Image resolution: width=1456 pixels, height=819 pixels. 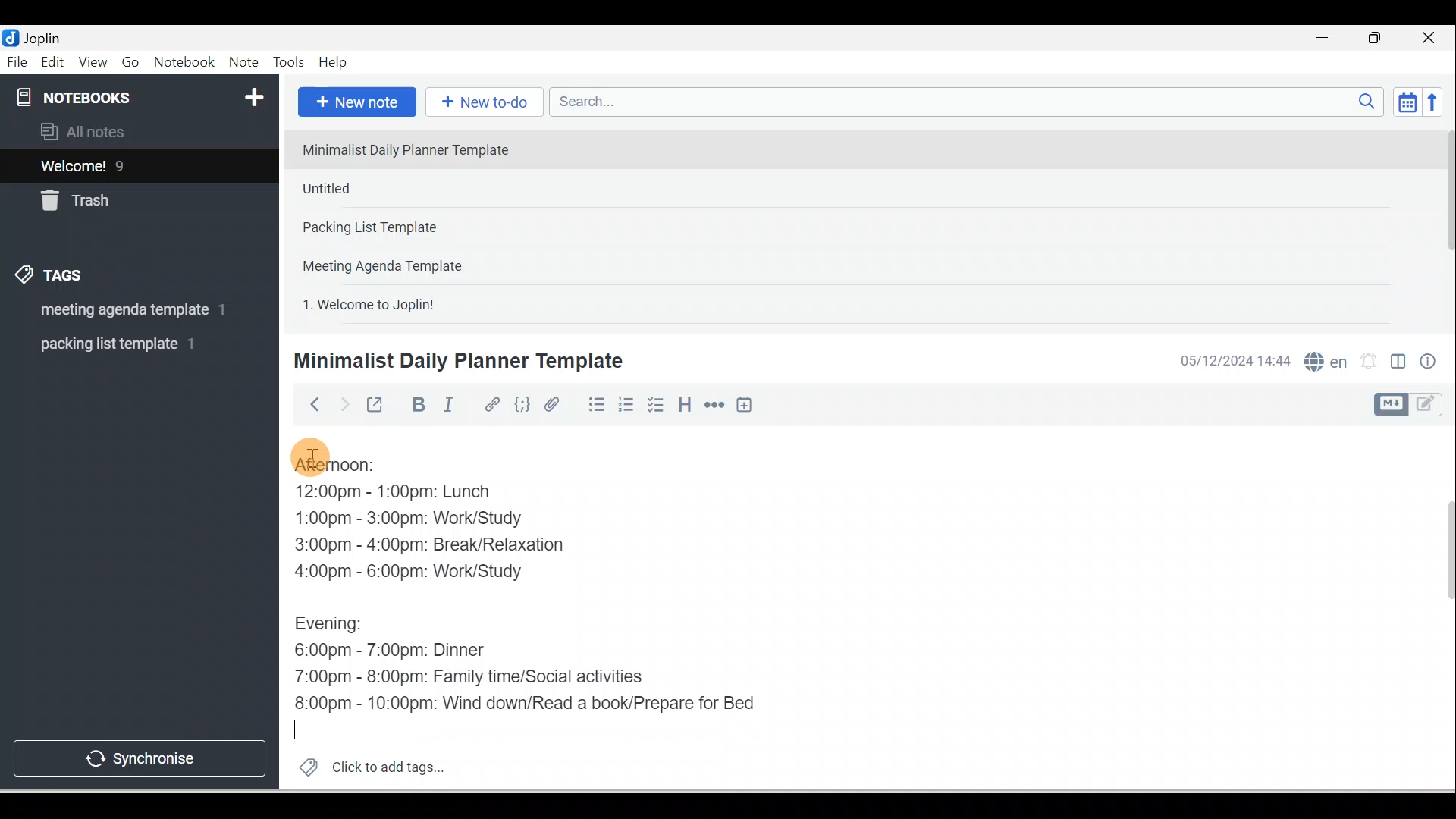 I want to click on Scroll bar, so click(x=1444, y=224).